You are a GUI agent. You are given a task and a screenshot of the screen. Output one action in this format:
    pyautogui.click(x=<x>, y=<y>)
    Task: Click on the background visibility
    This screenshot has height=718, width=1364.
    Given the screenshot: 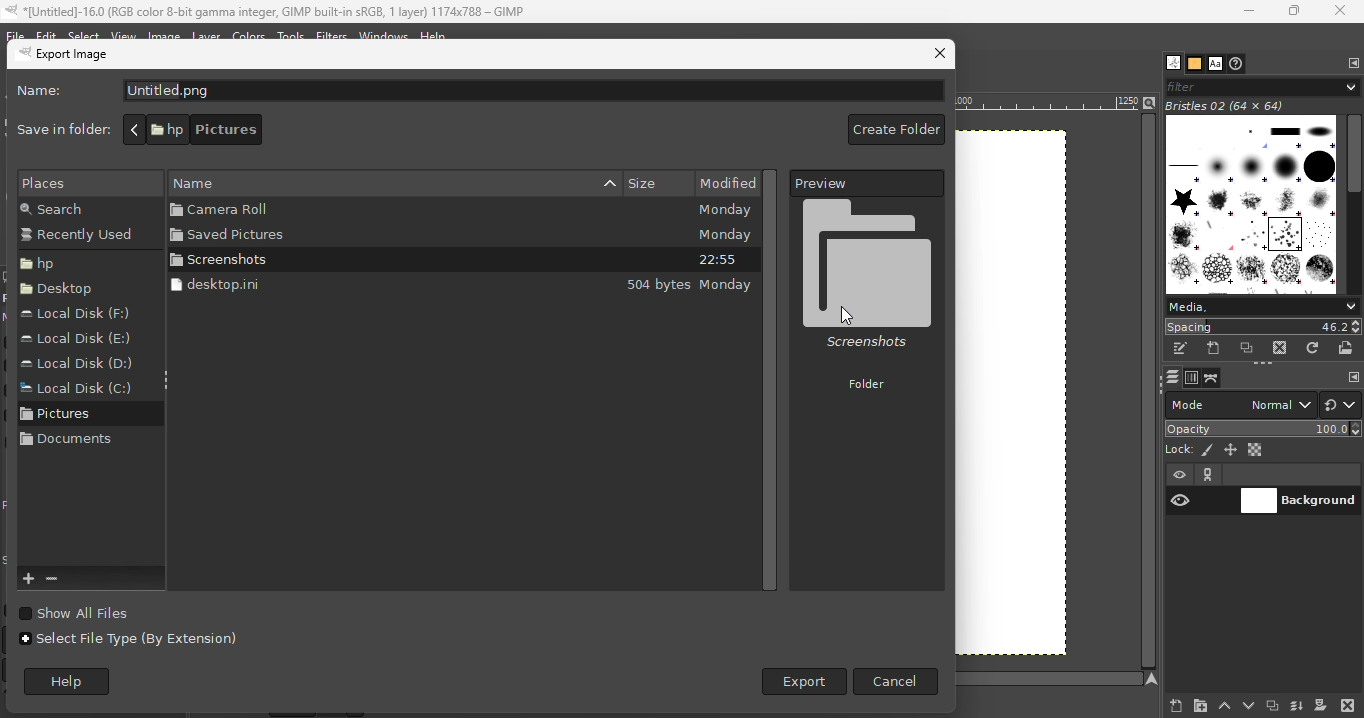 What is the action you would take?
    pyautogui.click(x=1209, y=475)
    